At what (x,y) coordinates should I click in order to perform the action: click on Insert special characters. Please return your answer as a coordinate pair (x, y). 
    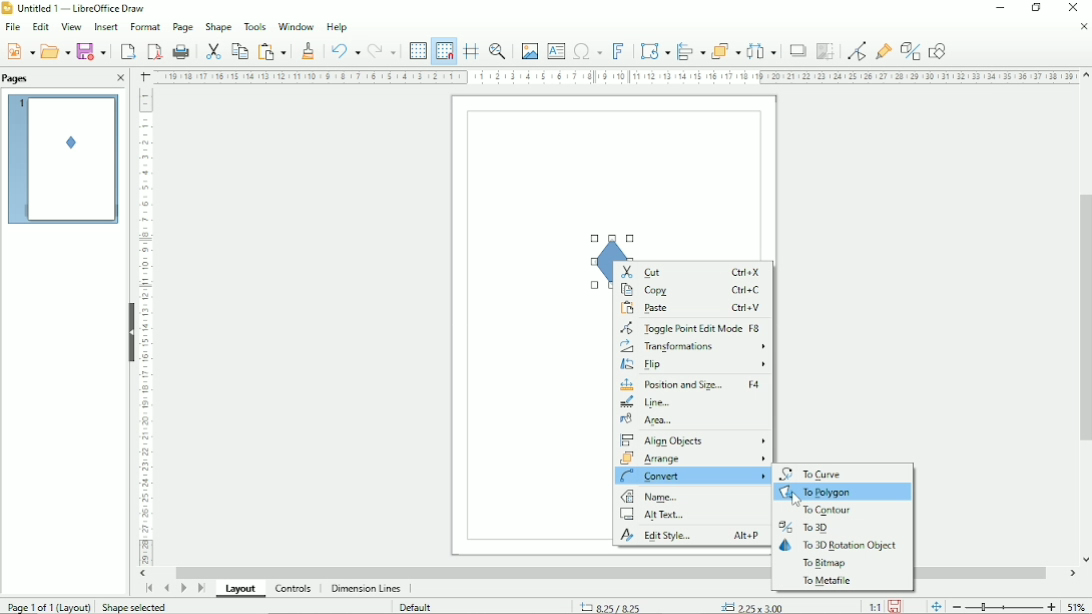
    Looking at the image, I should click on (587, 49).